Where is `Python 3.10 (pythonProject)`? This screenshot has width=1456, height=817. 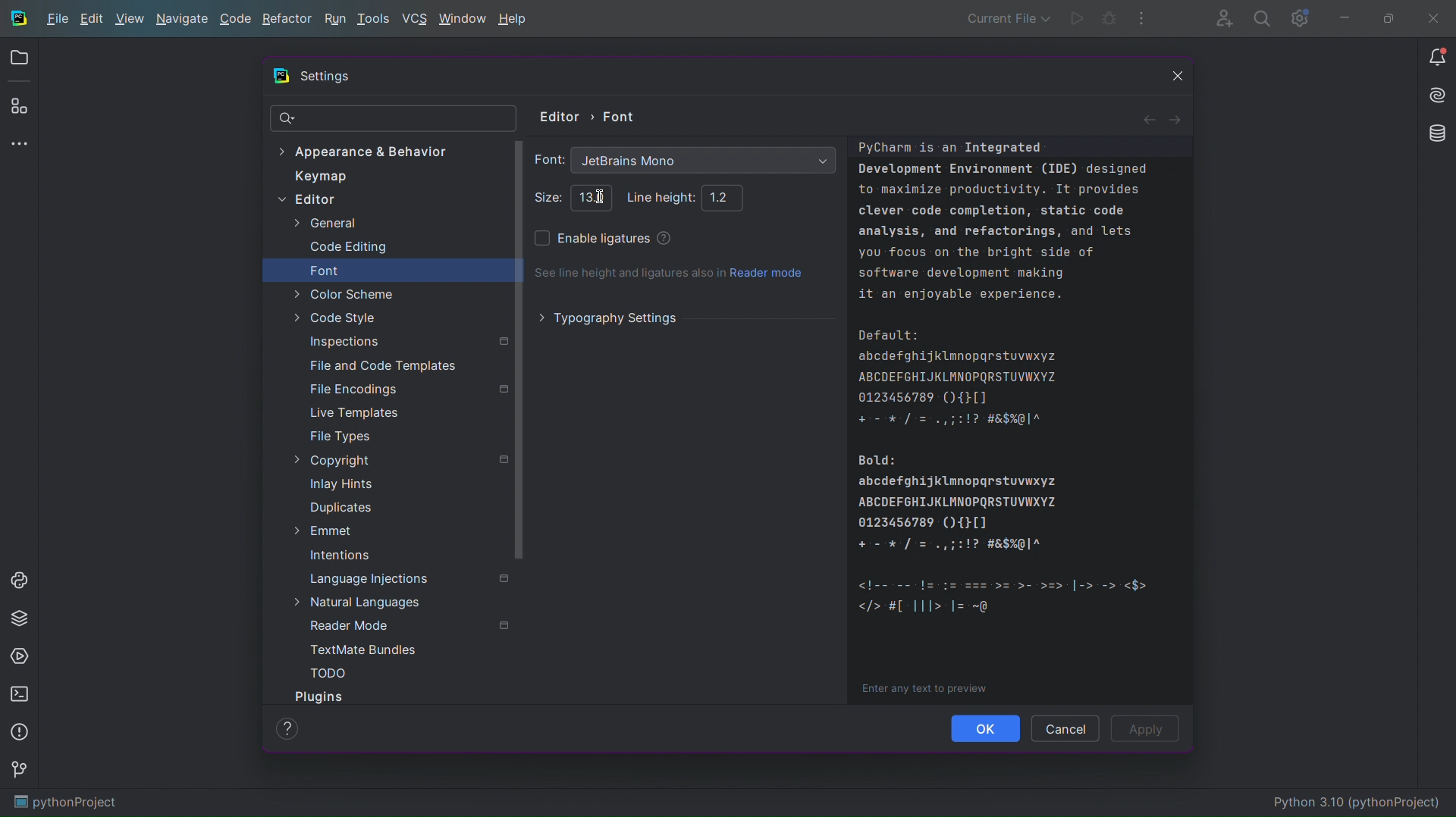 Python 3.10 (pythonProject) is located at coordinates (1360, 803).